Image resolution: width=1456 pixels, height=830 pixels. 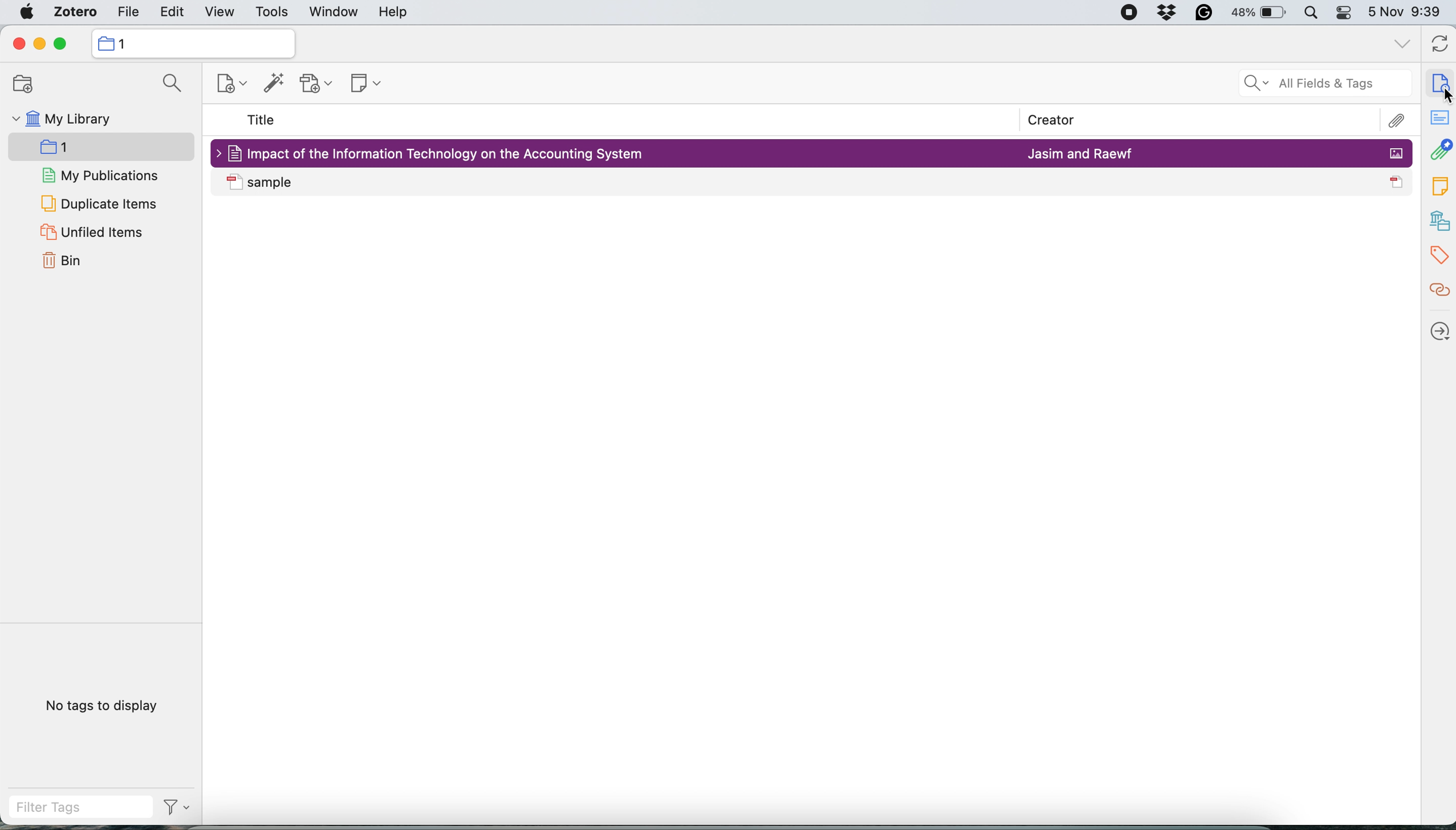 What do you see at coordinates (262, 119) in the screenshot?
I see `title` at bounding box center [262, 119].